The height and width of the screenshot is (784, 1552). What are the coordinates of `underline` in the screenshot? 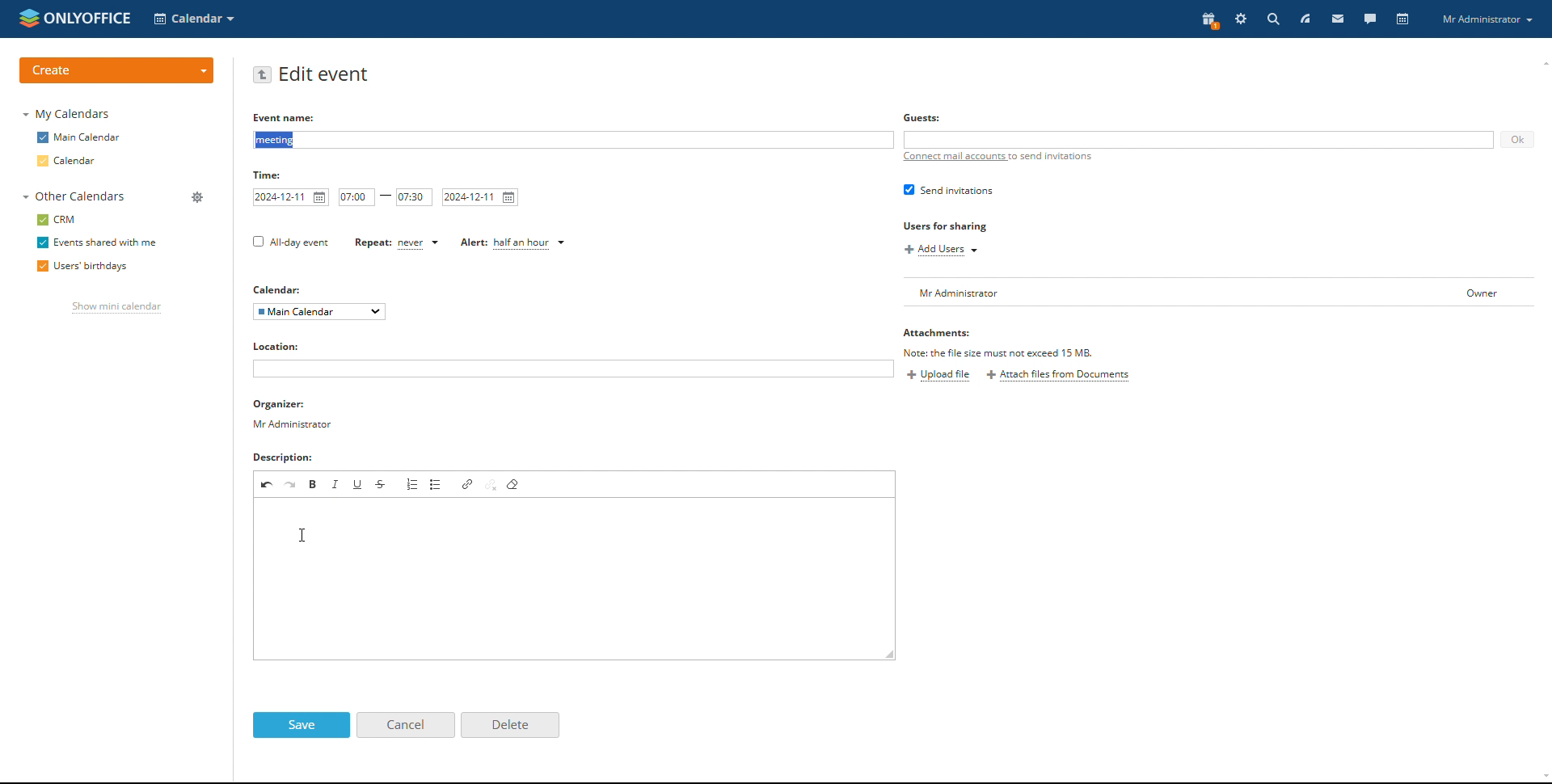 It's located at (359, 484).